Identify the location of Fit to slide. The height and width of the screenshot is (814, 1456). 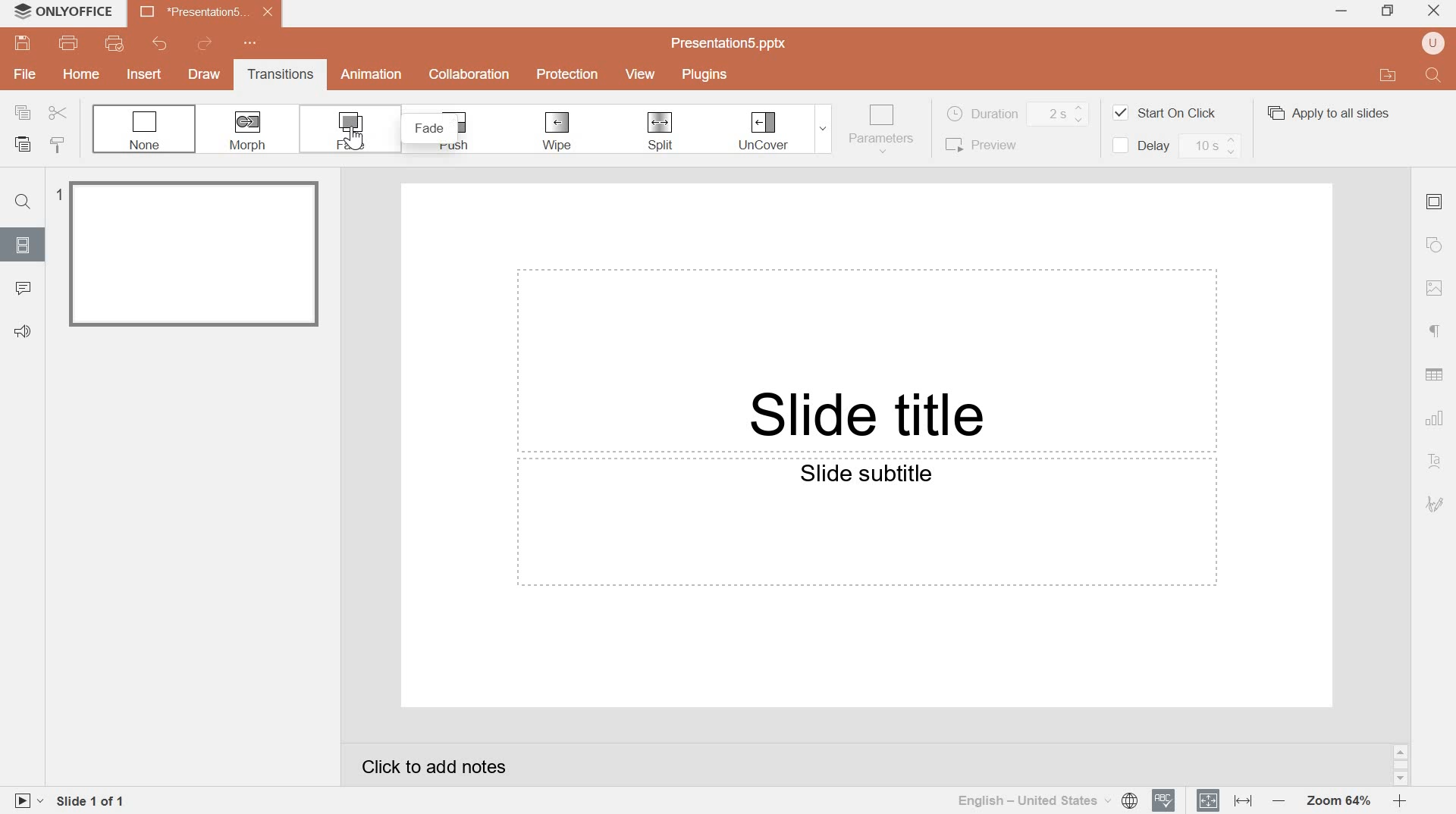
(1209, 799).